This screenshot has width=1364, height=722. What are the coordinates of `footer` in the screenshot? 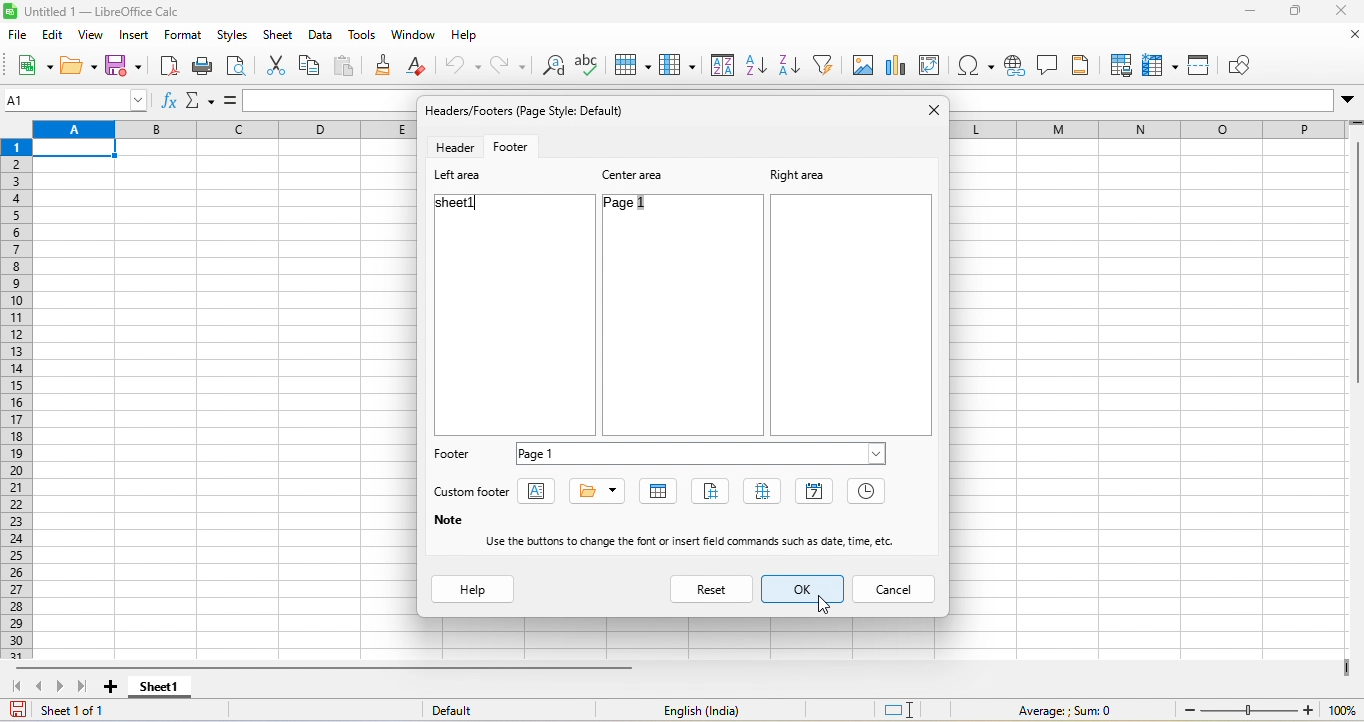 It's located at (454, 456).